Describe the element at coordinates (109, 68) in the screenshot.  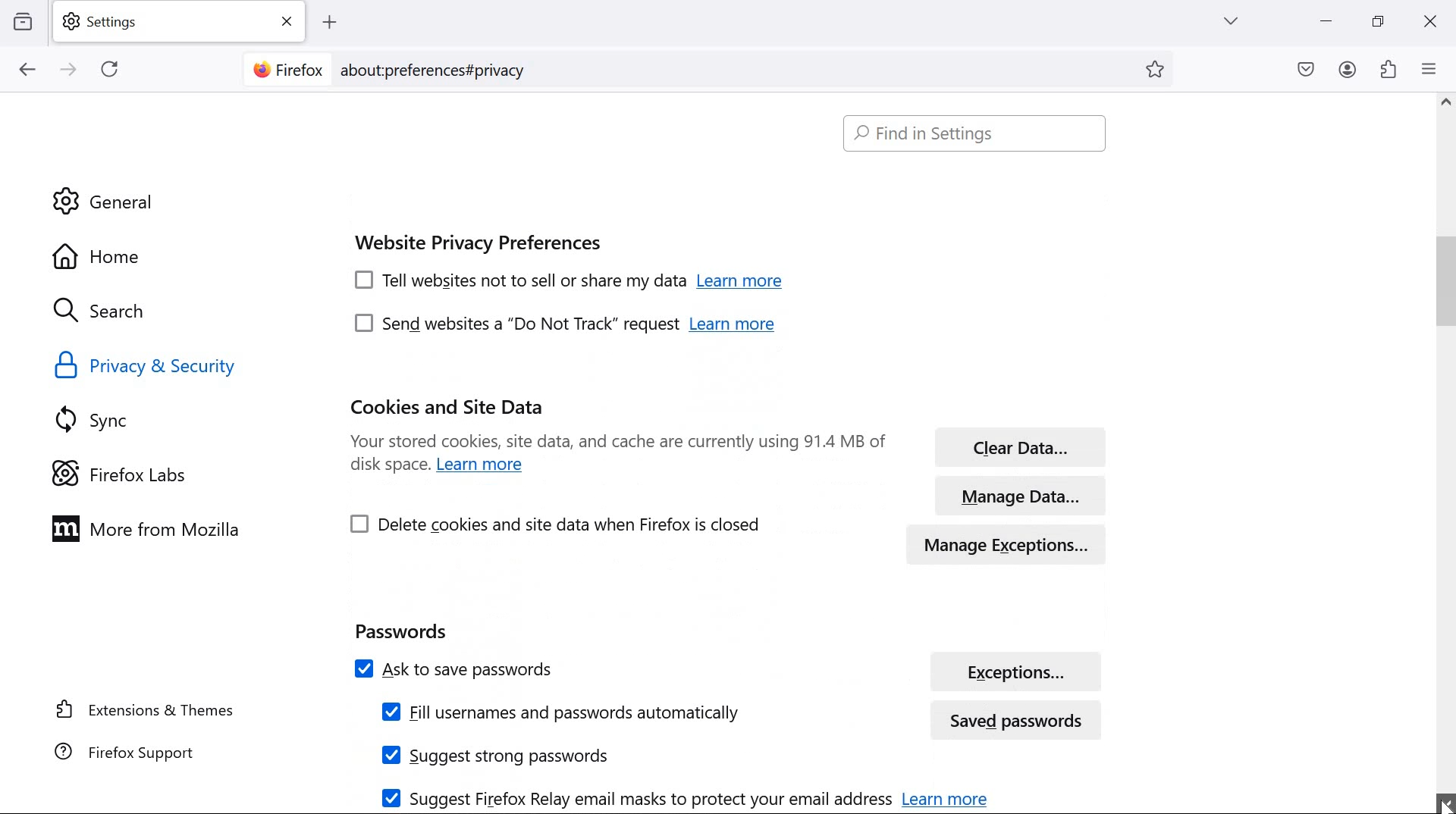
I see `reload` at that location.